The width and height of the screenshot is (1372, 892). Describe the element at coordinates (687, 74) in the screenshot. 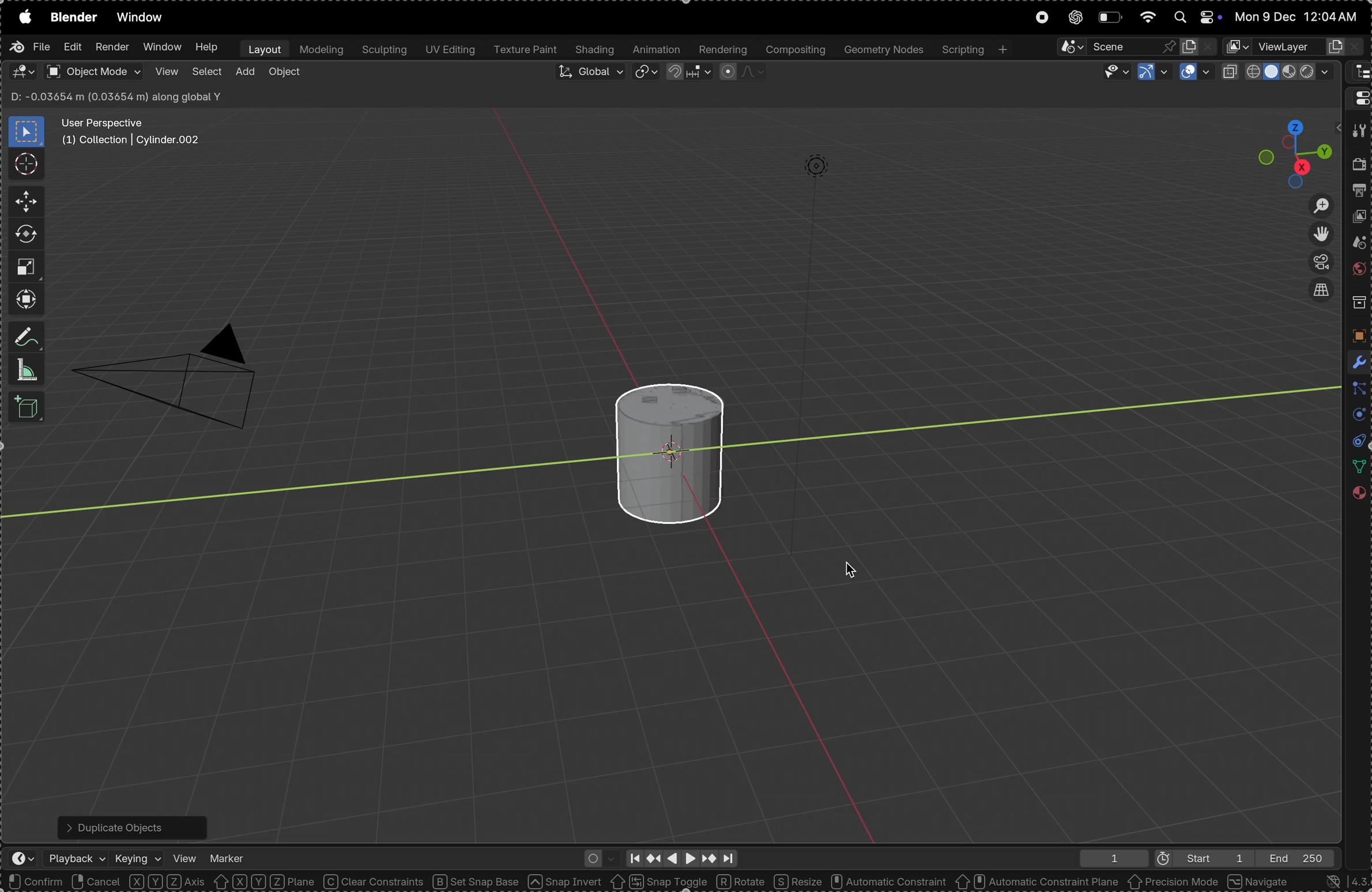

I see `snap` at that location.